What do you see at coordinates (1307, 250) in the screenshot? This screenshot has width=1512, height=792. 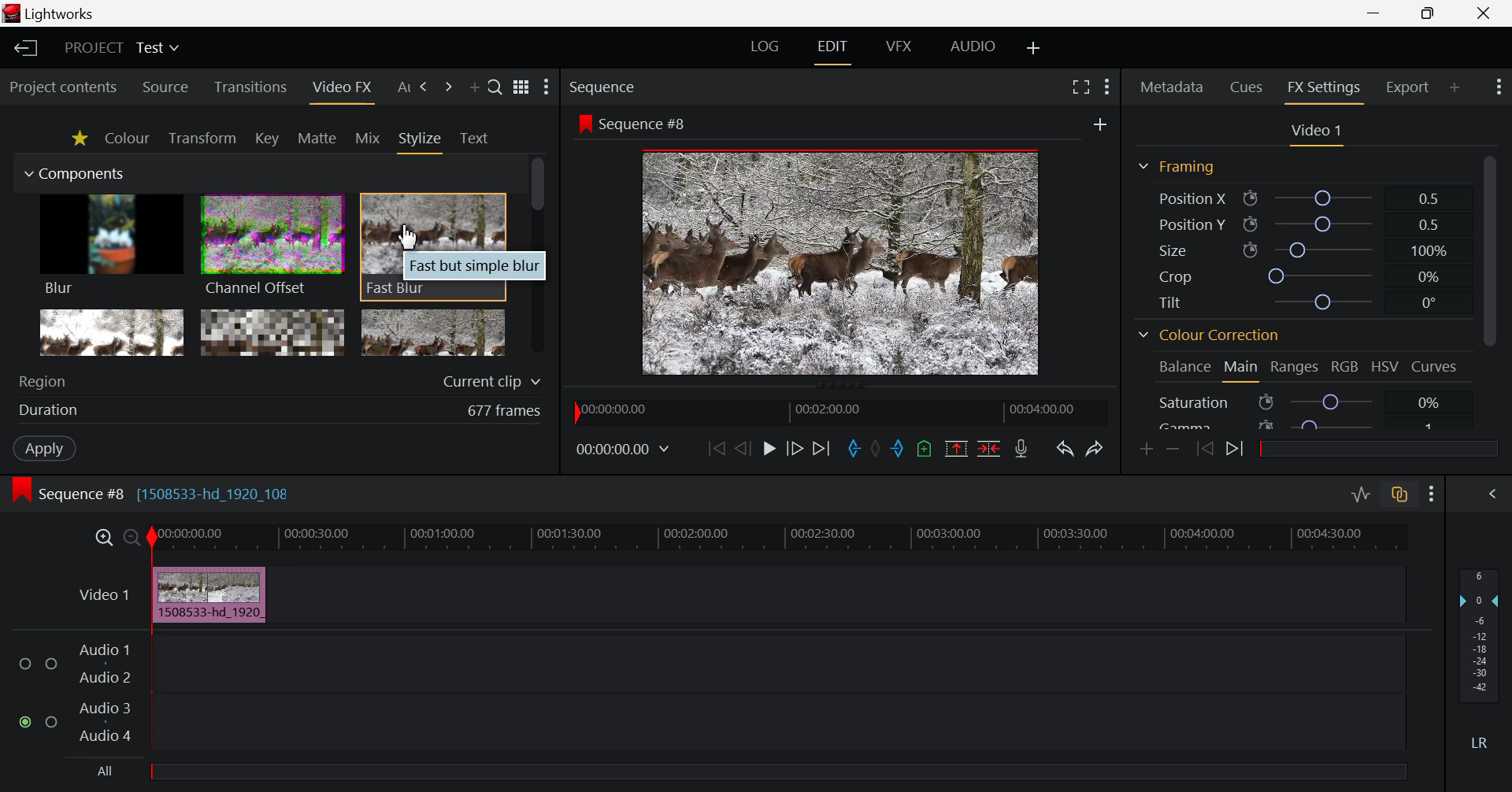 I see `Size` at bounding box center [1307, 250].